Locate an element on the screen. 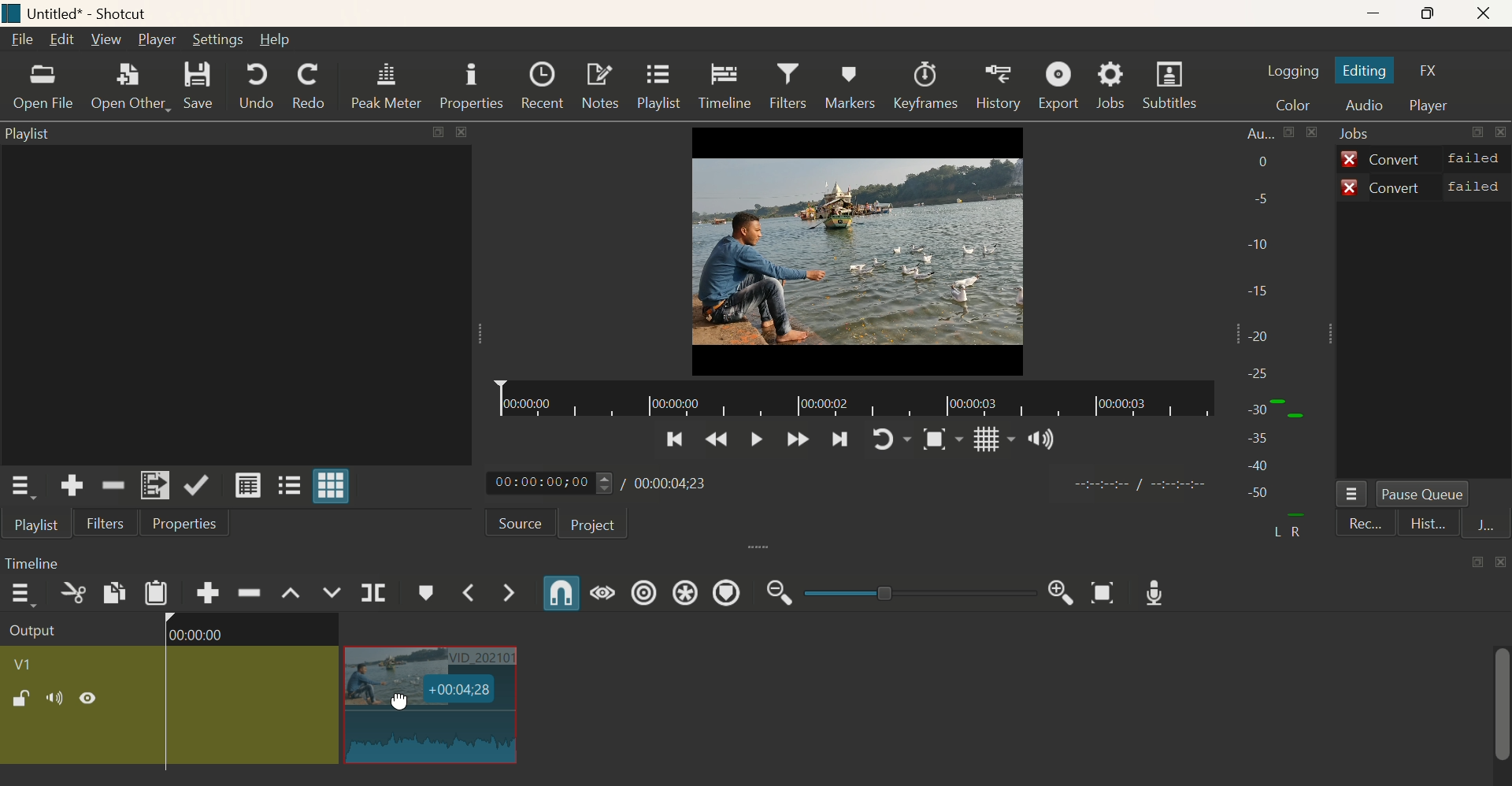   is located at coordinates (192, 528).